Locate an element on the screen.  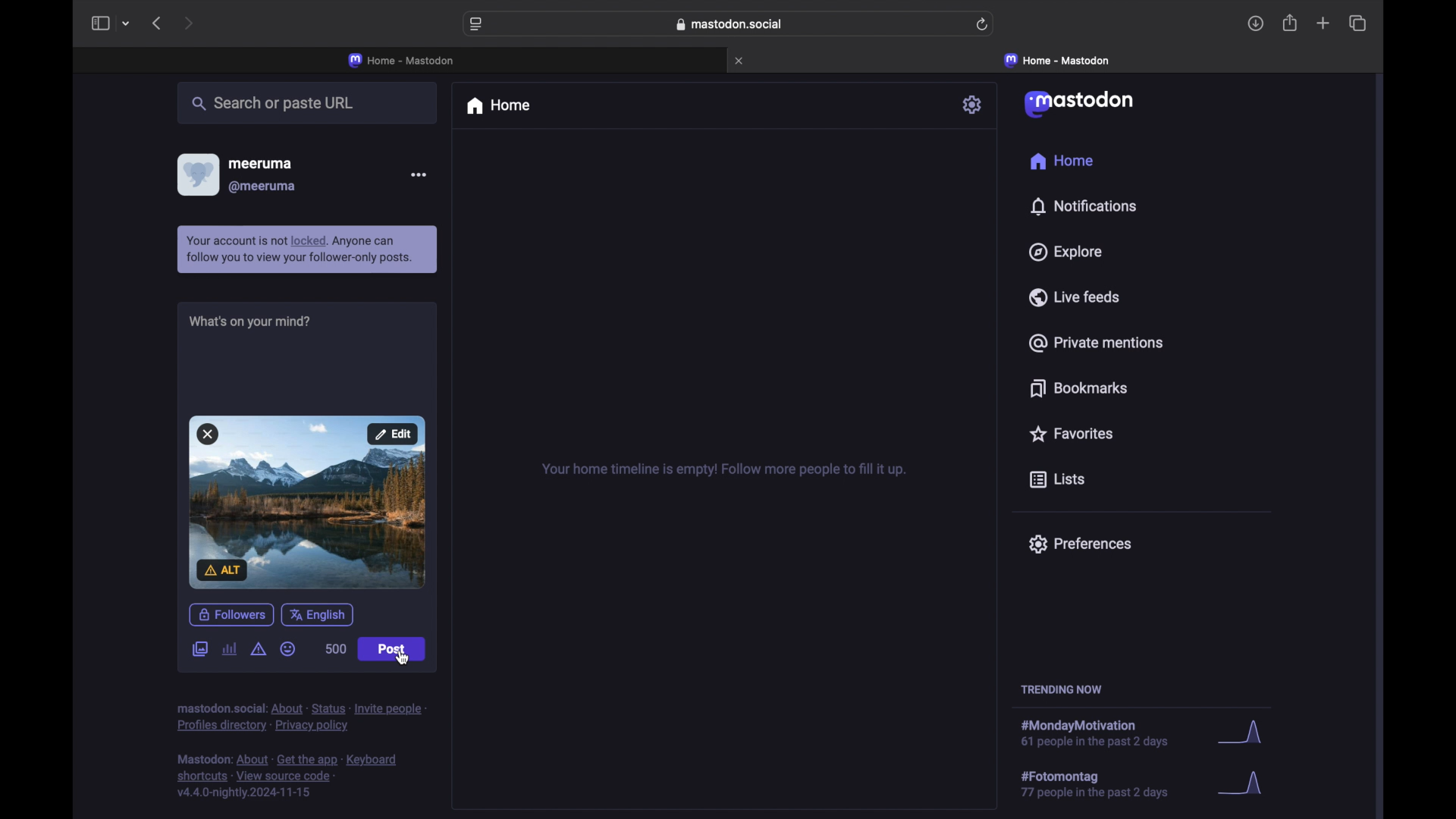
more options is located at coordinates (419, 174).